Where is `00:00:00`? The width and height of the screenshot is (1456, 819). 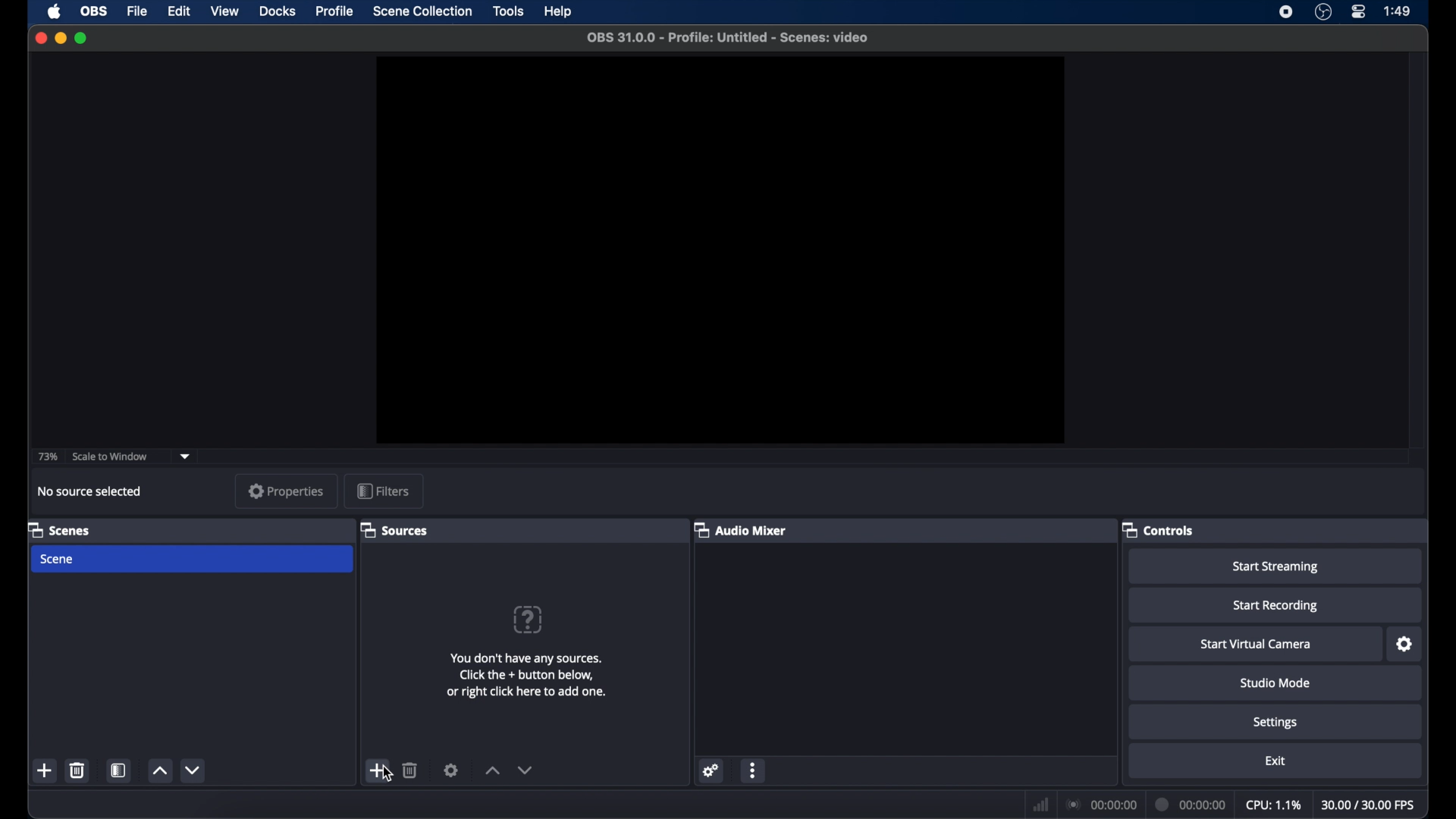
00:00:00 is located at coordinates (1099, 801).